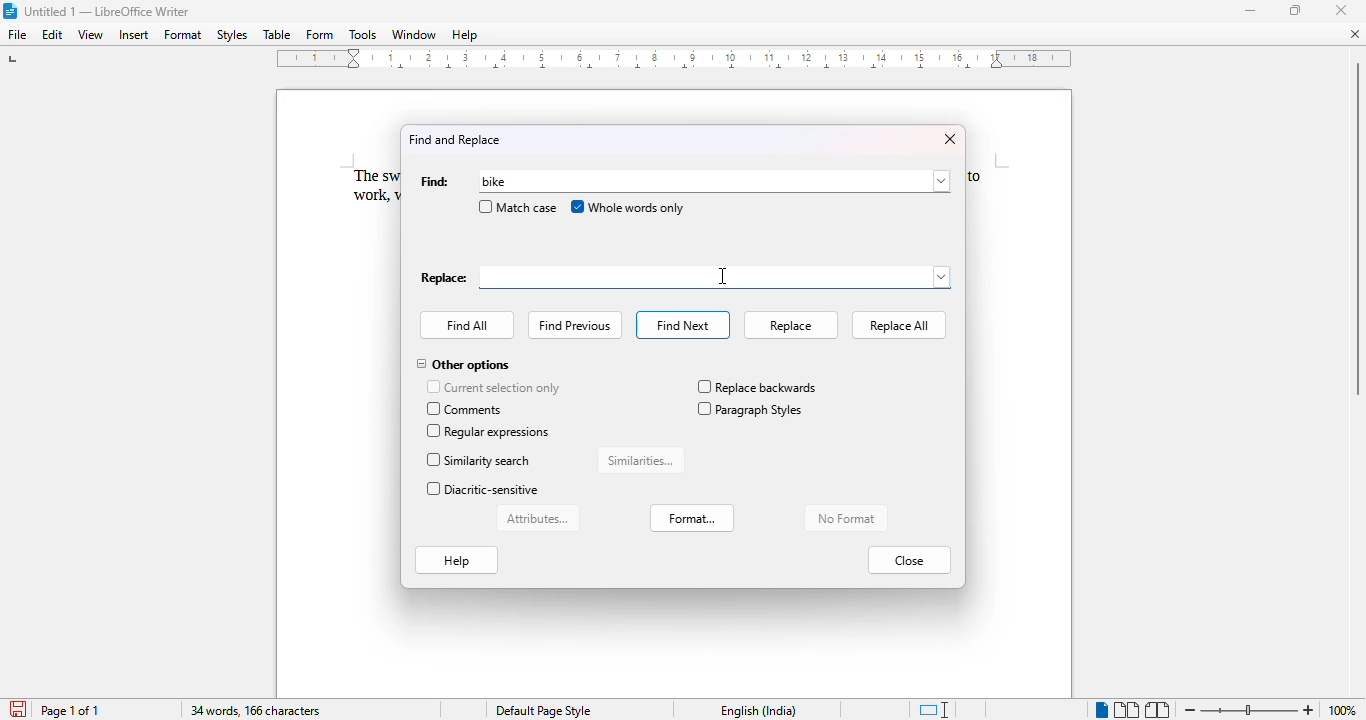 The height and width of the screenshot is (720, 1366). Describe the element at coordinates (517, 207) in the screenshot. I see `match case` at that location.